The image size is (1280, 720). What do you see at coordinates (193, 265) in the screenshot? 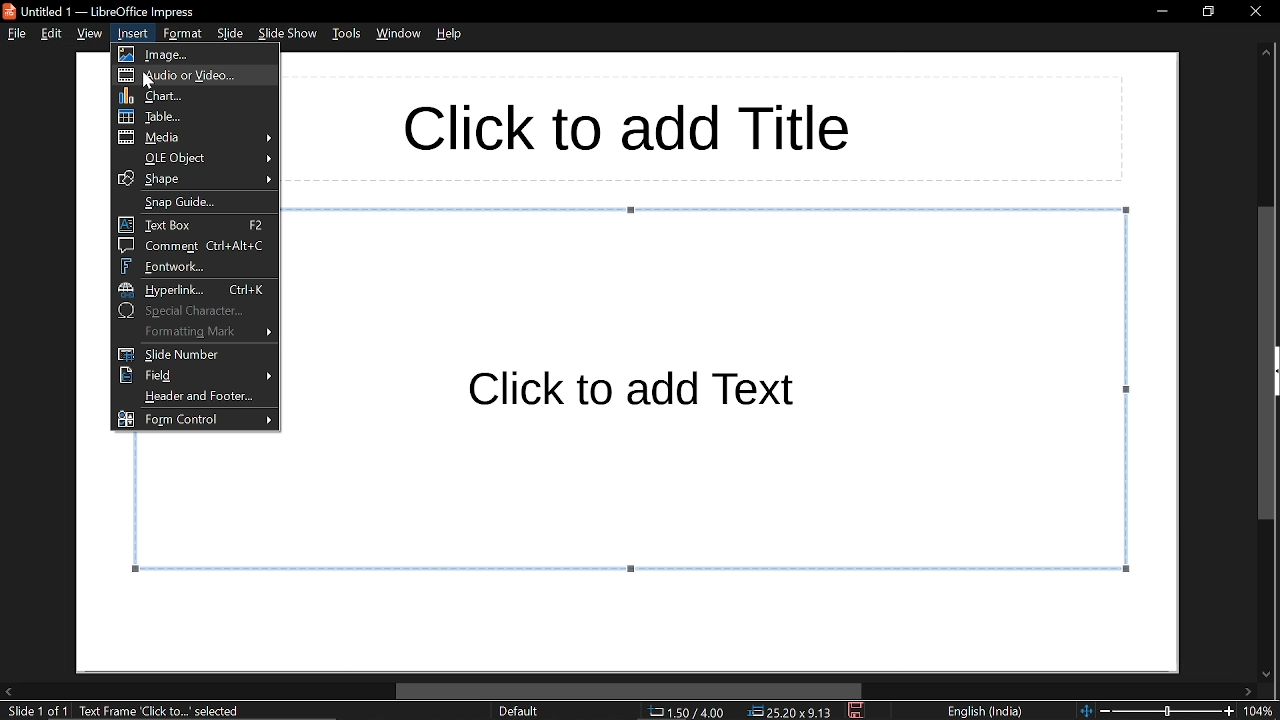
I see `fontwork` at bounding box center [193, 265].